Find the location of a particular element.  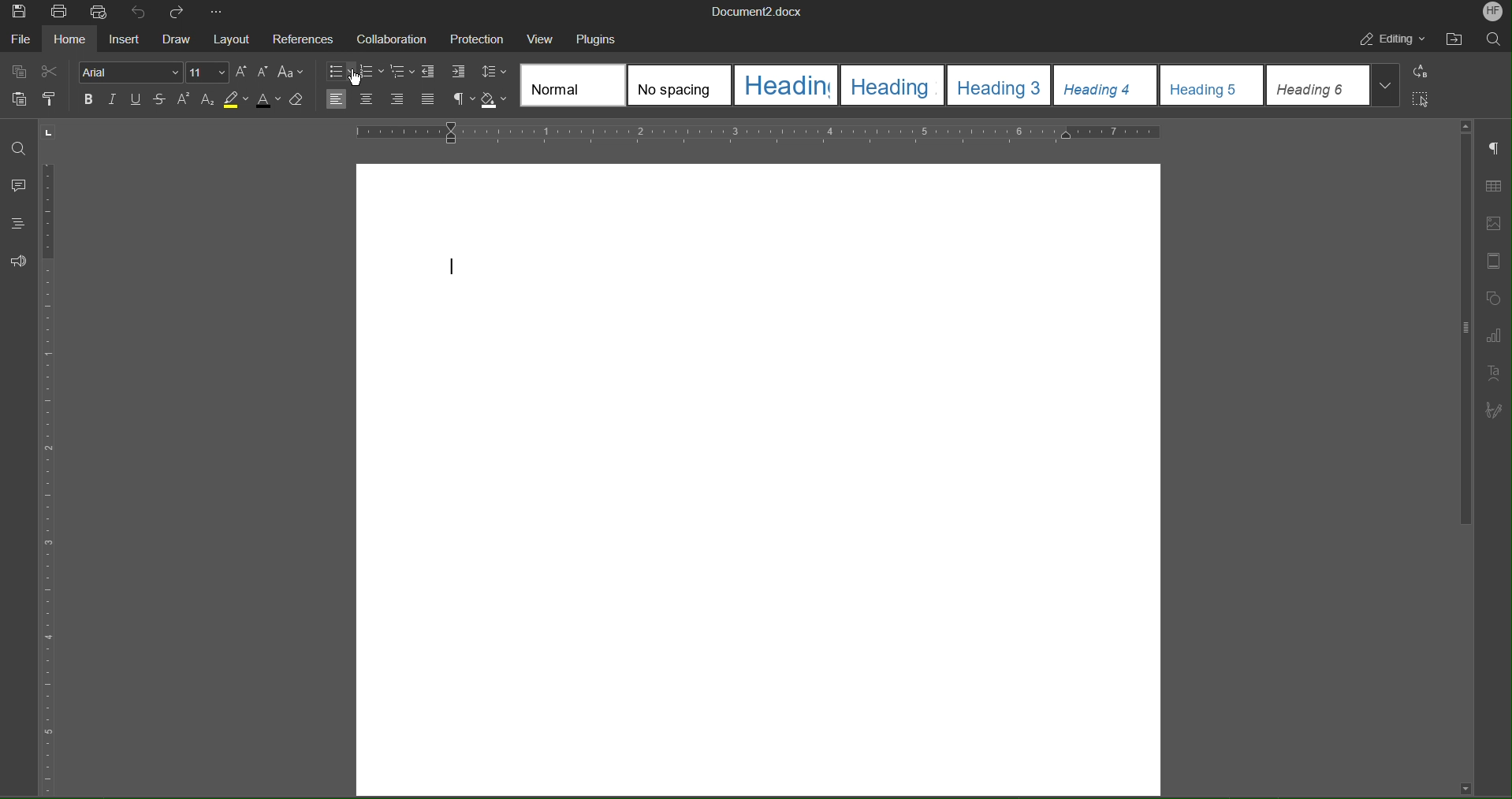

text cursor is located at coordinates (452, 268).